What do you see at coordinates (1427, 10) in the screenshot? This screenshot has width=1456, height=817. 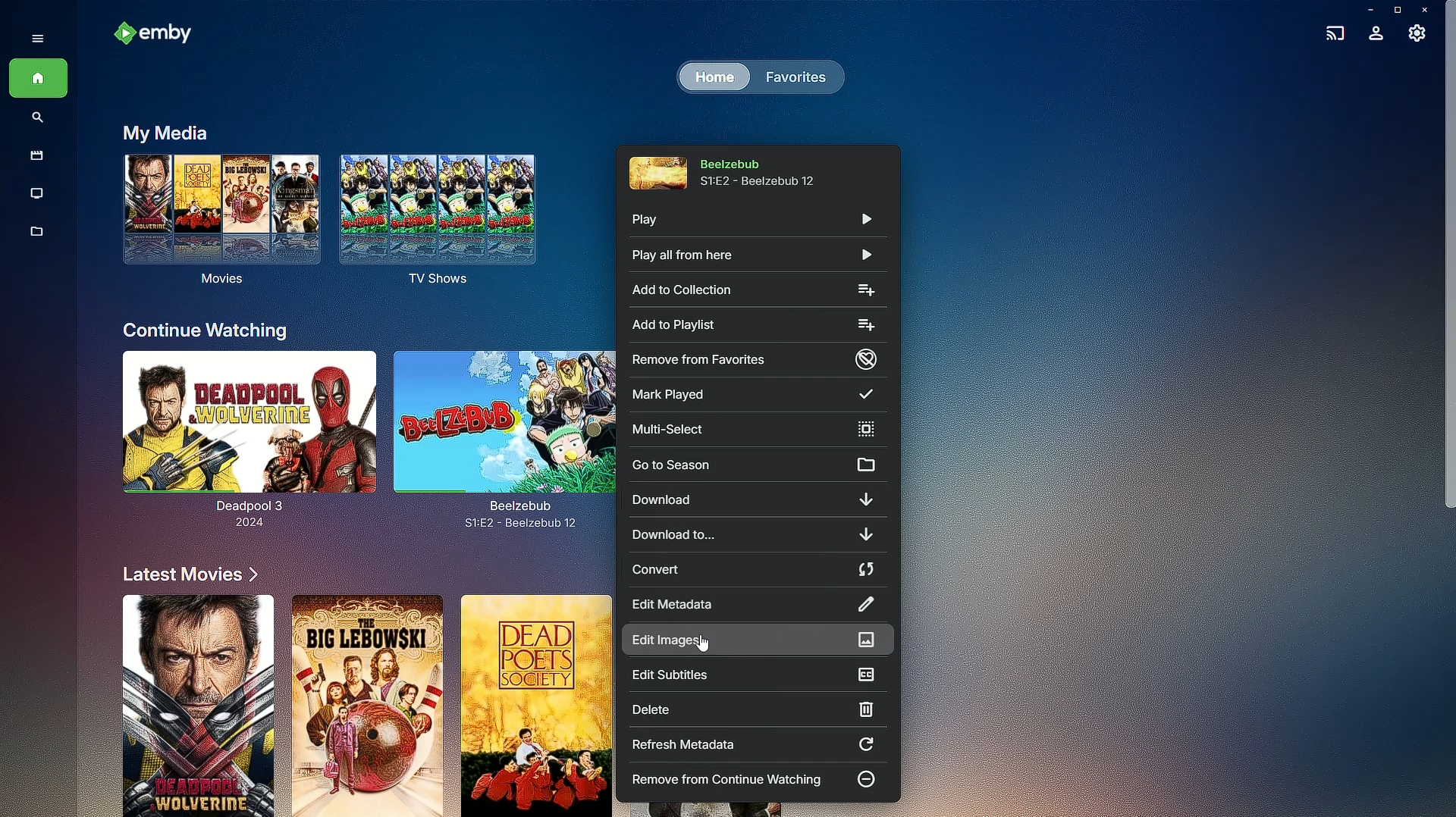 I see `Close` at bounding box center [1427, 10].